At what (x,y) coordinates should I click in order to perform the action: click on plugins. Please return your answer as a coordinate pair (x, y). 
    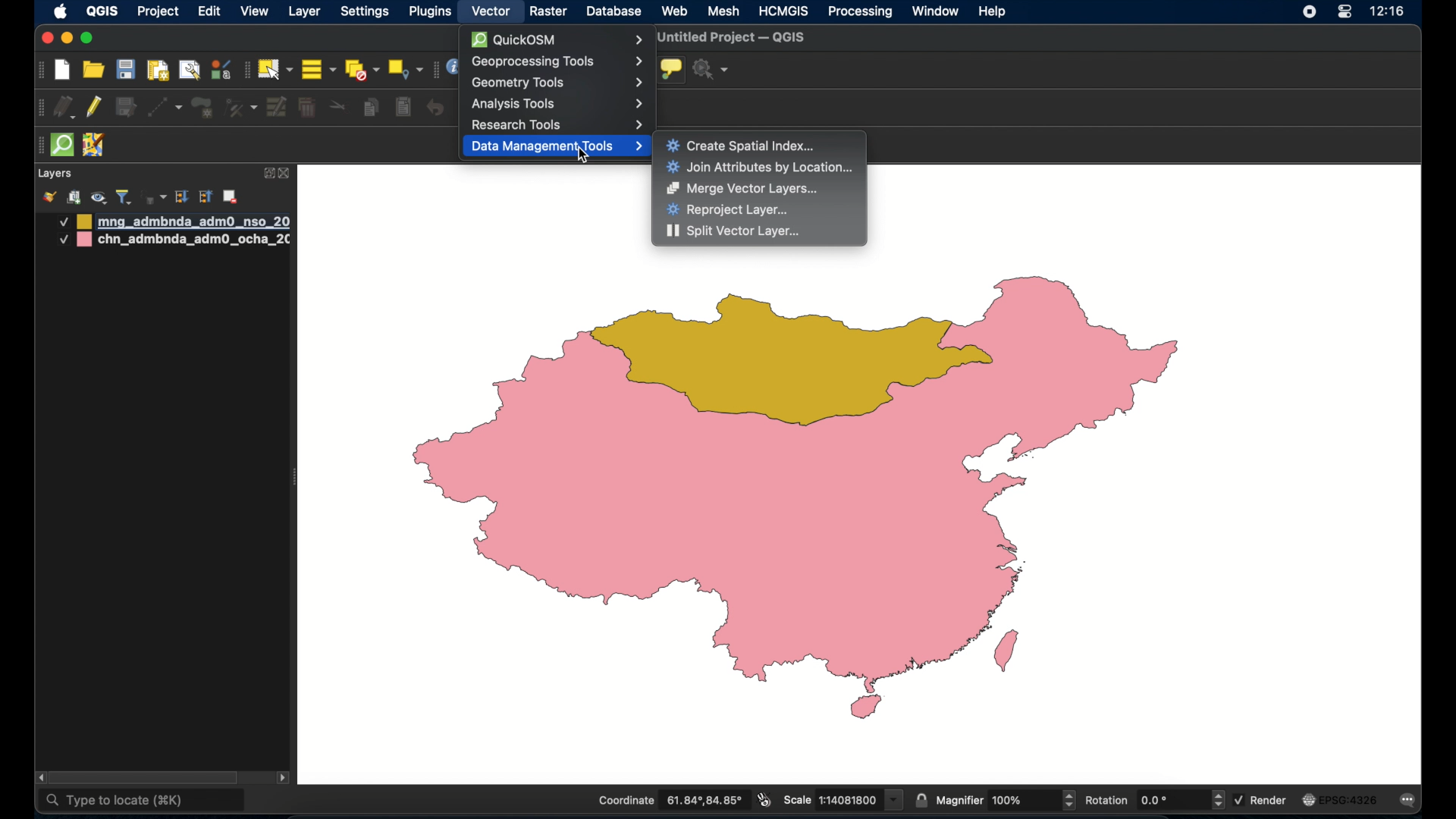
    Looking at the image, I should click on (433, 11).